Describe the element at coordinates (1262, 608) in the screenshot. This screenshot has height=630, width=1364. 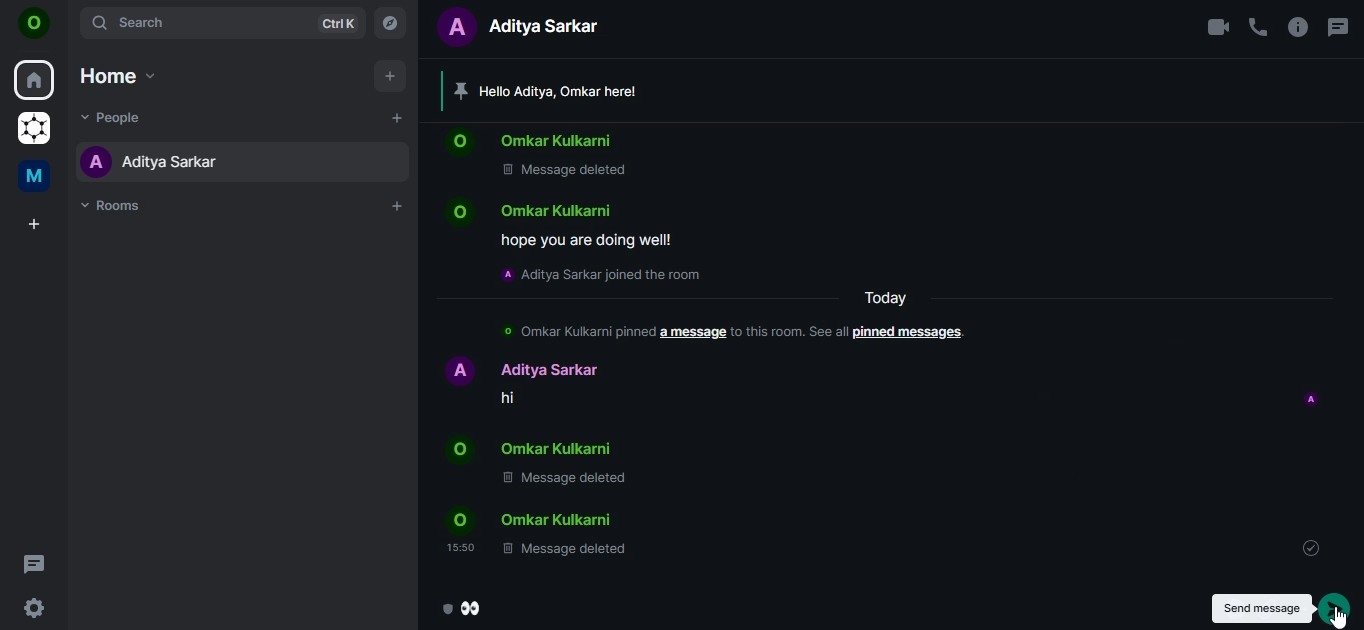
I see `send message` at that location.